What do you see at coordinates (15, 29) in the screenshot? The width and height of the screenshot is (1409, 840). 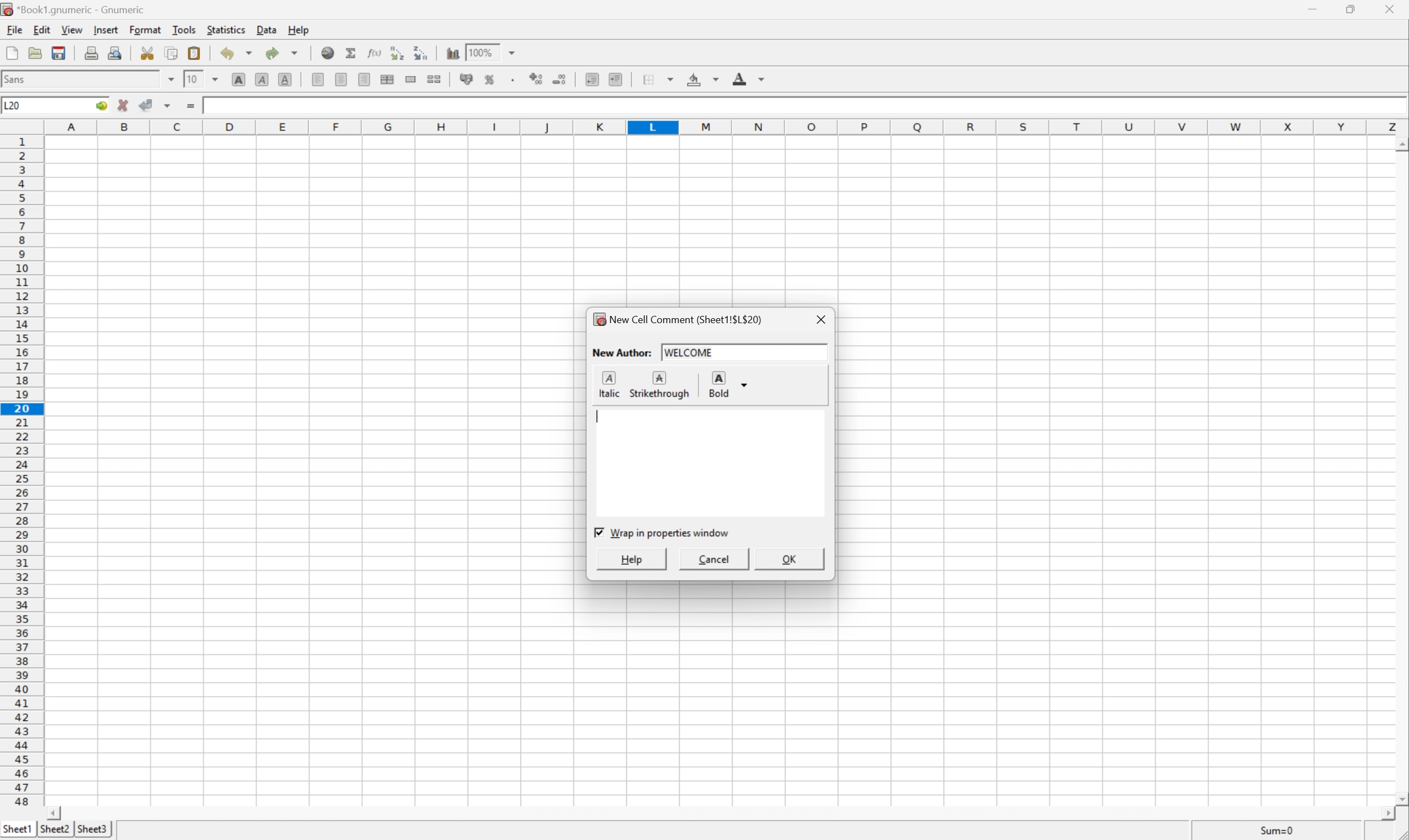 I see `File` at bounding box center [15, 29].